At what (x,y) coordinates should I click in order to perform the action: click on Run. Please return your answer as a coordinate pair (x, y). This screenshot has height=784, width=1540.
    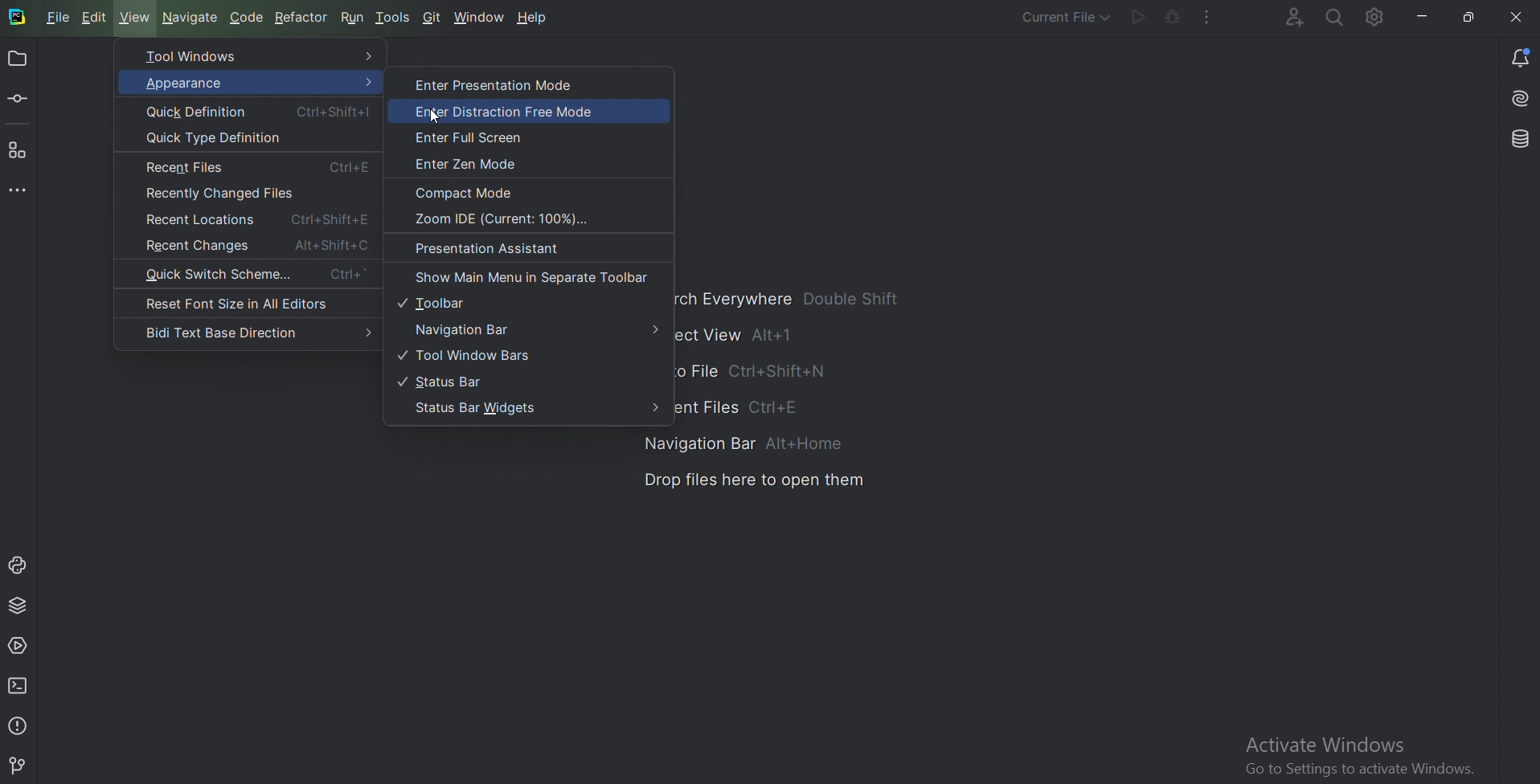
    Looking at the image, I should click on (354, 18).